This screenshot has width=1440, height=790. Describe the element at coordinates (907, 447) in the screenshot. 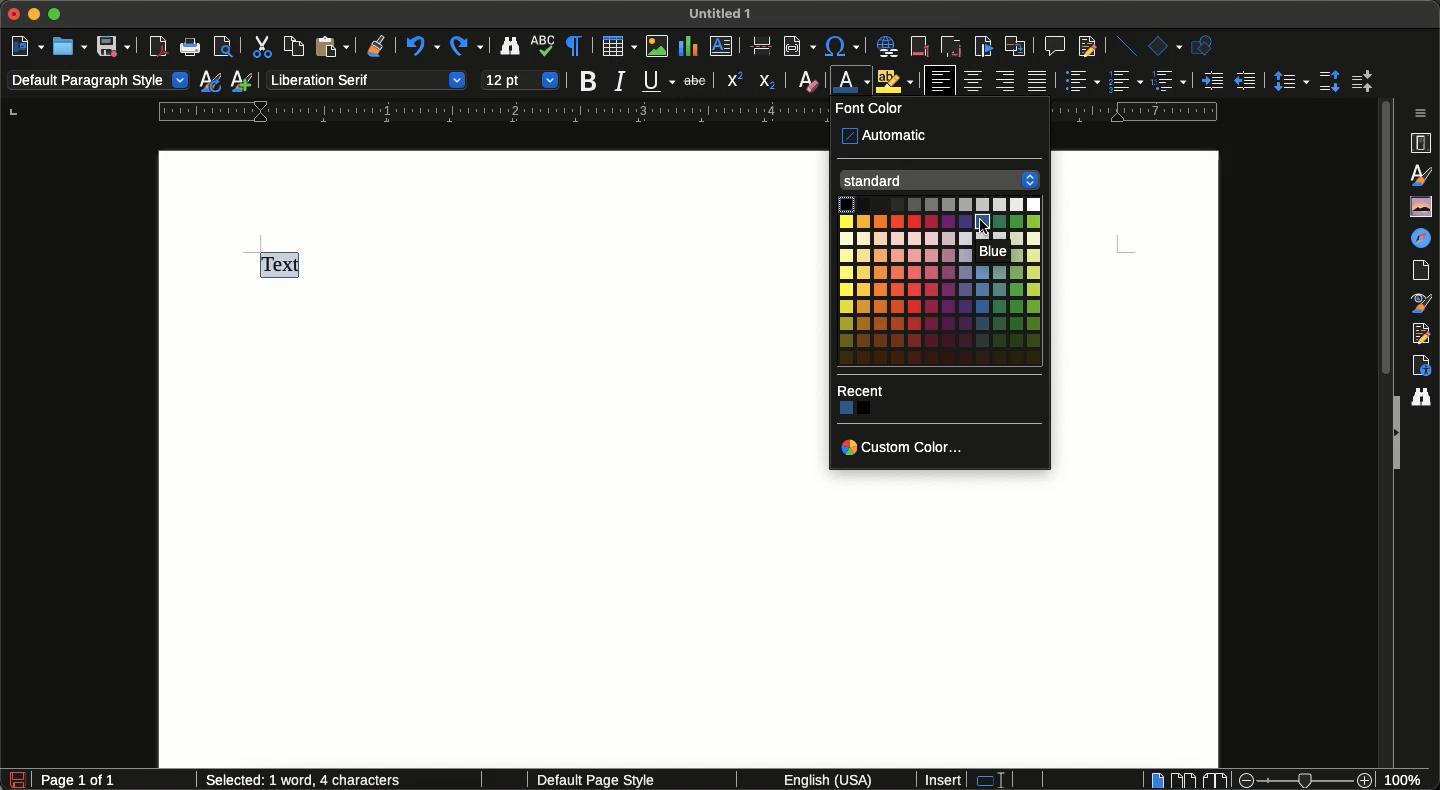

I see `Custom color` at that location.